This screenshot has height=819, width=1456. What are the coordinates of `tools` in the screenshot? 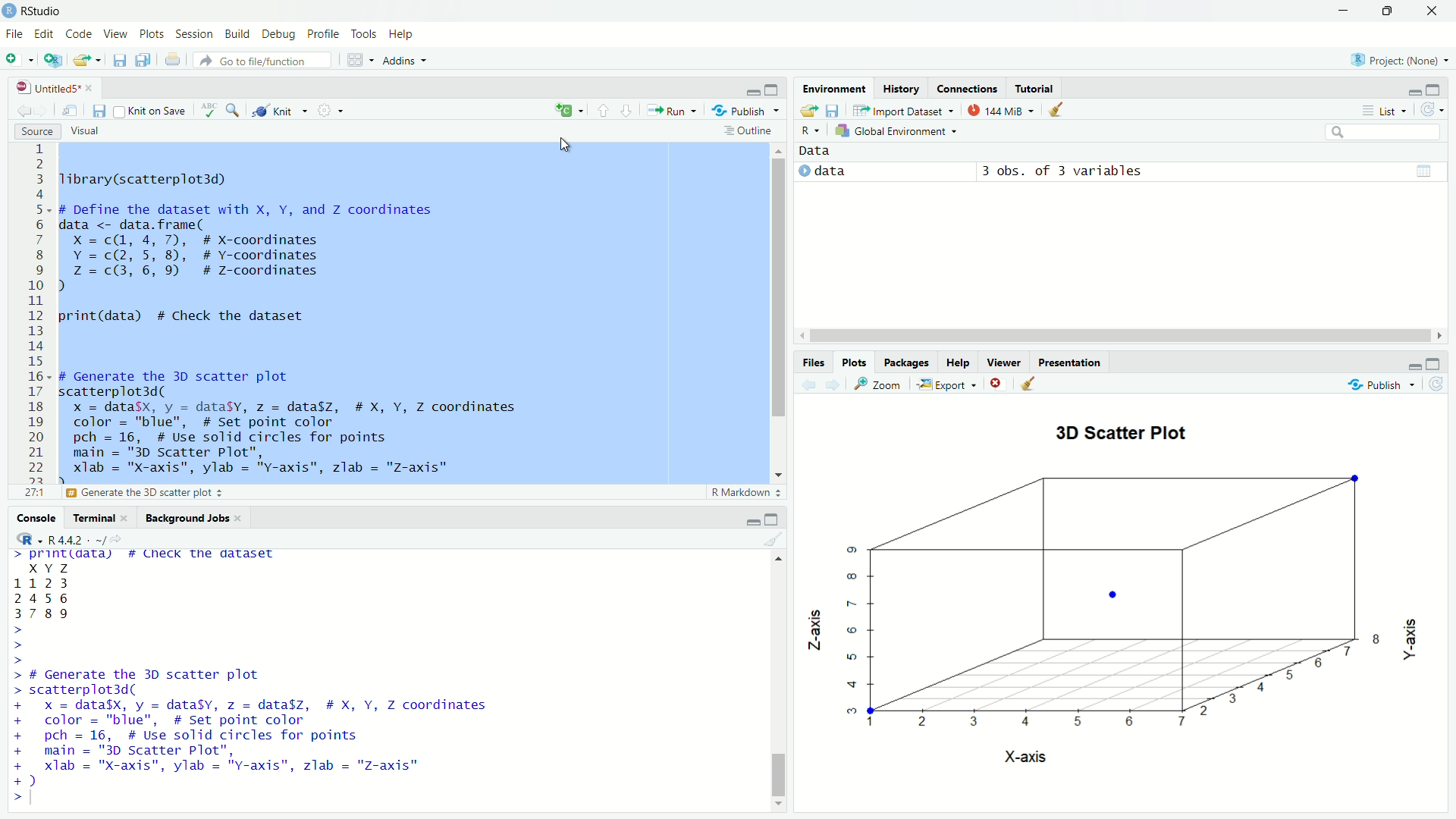 It's located at (364, 33).